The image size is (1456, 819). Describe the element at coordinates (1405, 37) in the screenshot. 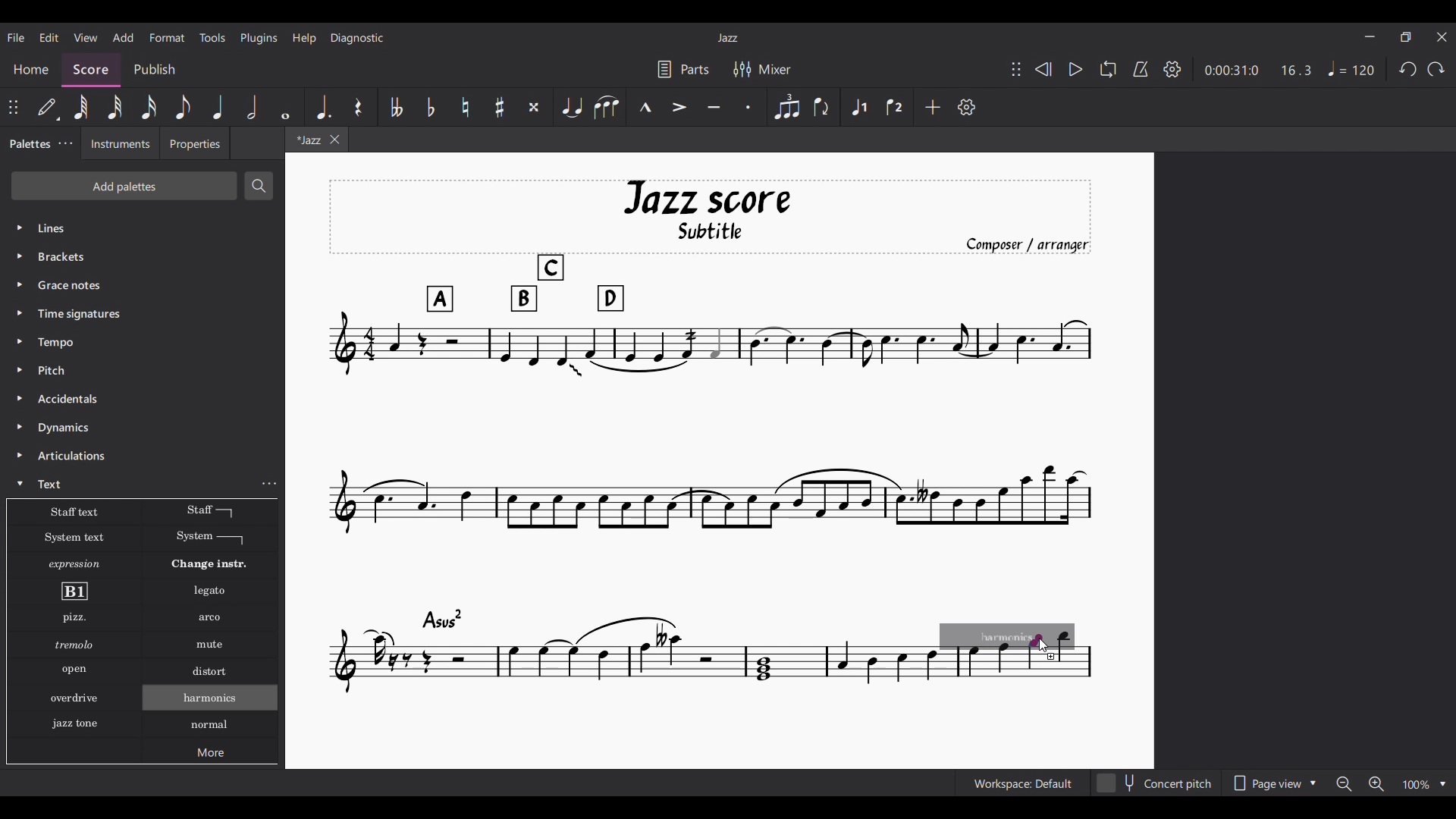

I see `Show in smaller tab` at that location.